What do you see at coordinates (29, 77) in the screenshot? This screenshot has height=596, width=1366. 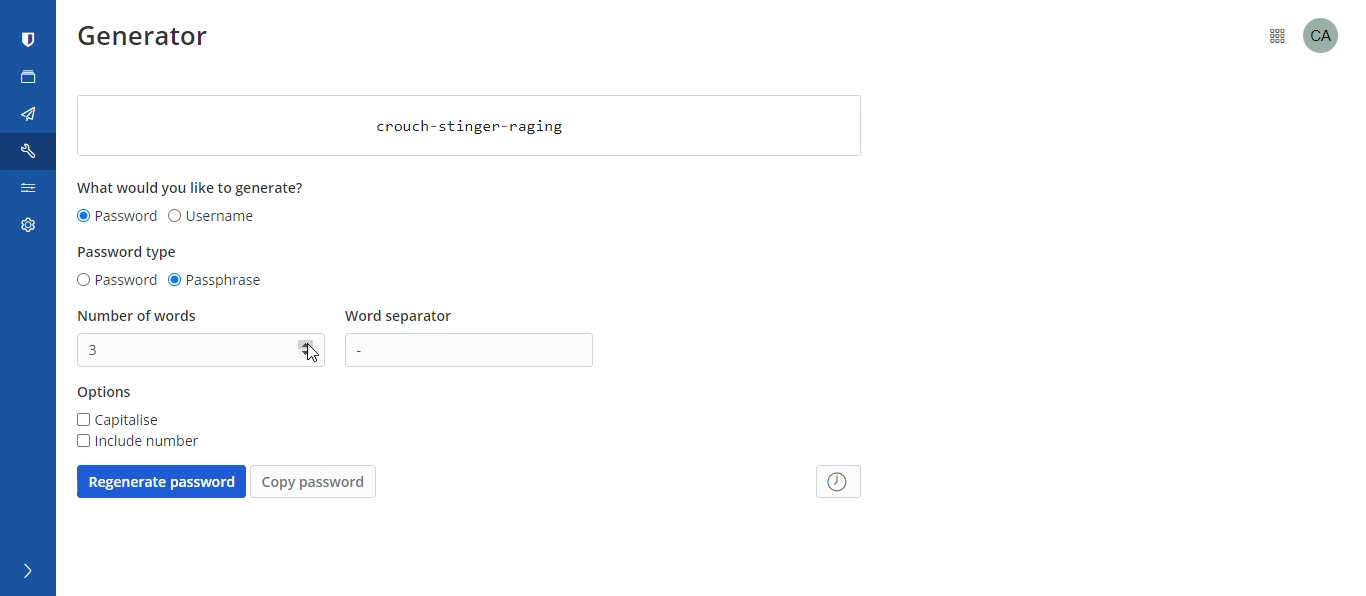 I see `new tab` at bounding box center [29, 77].